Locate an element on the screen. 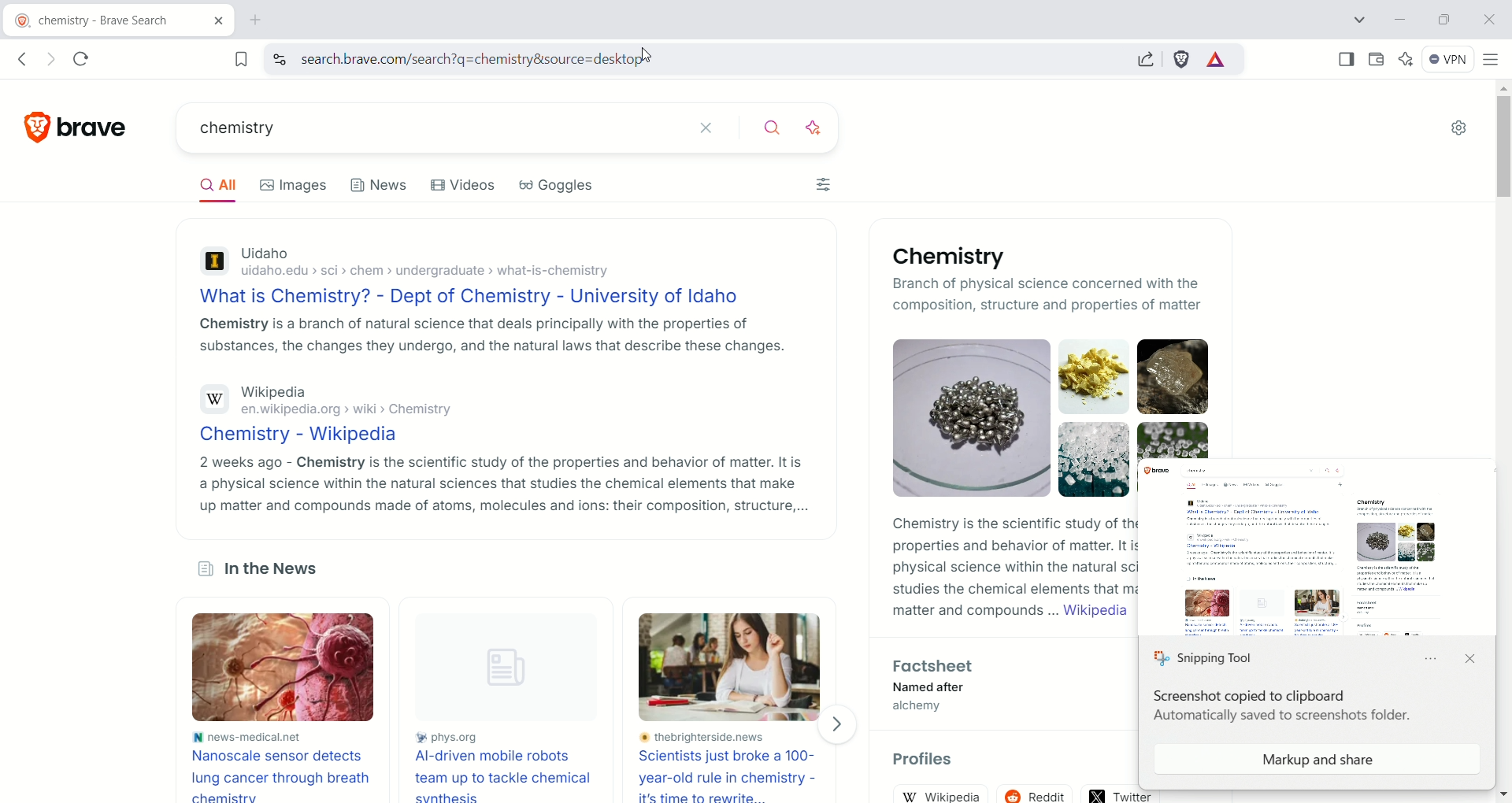 This screenshot has width=1512, height=803. markup and share is located at coordinates (1319, 760).